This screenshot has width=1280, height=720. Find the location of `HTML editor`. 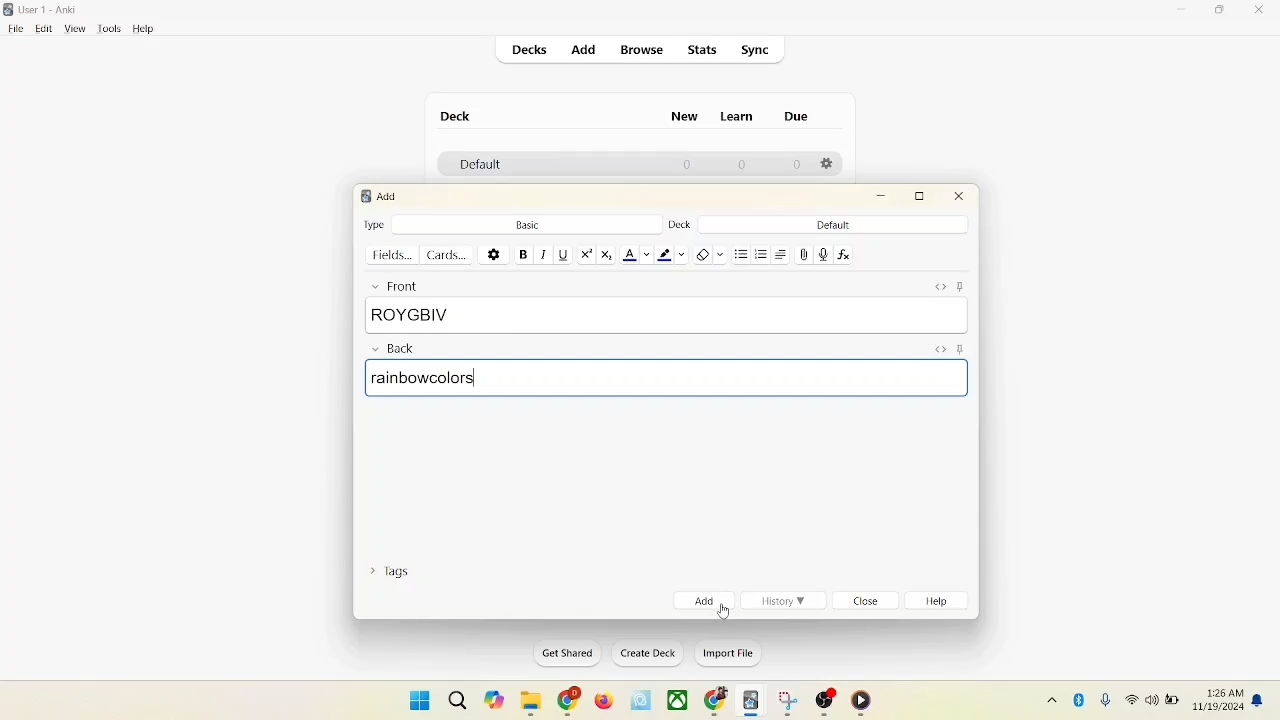

HTML editor is located at coordinates (938, 348).